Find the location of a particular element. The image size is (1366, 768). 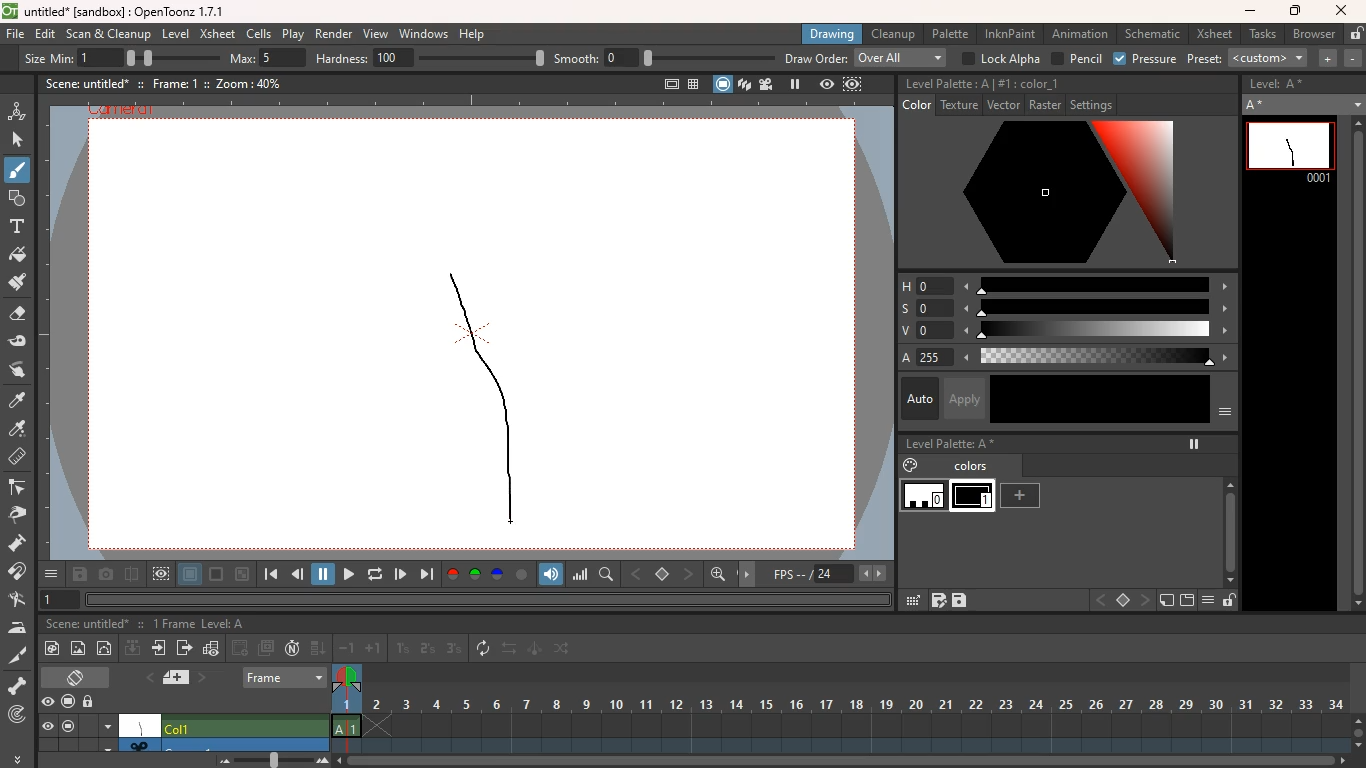

Col1 is located at coordinates (244, 726).